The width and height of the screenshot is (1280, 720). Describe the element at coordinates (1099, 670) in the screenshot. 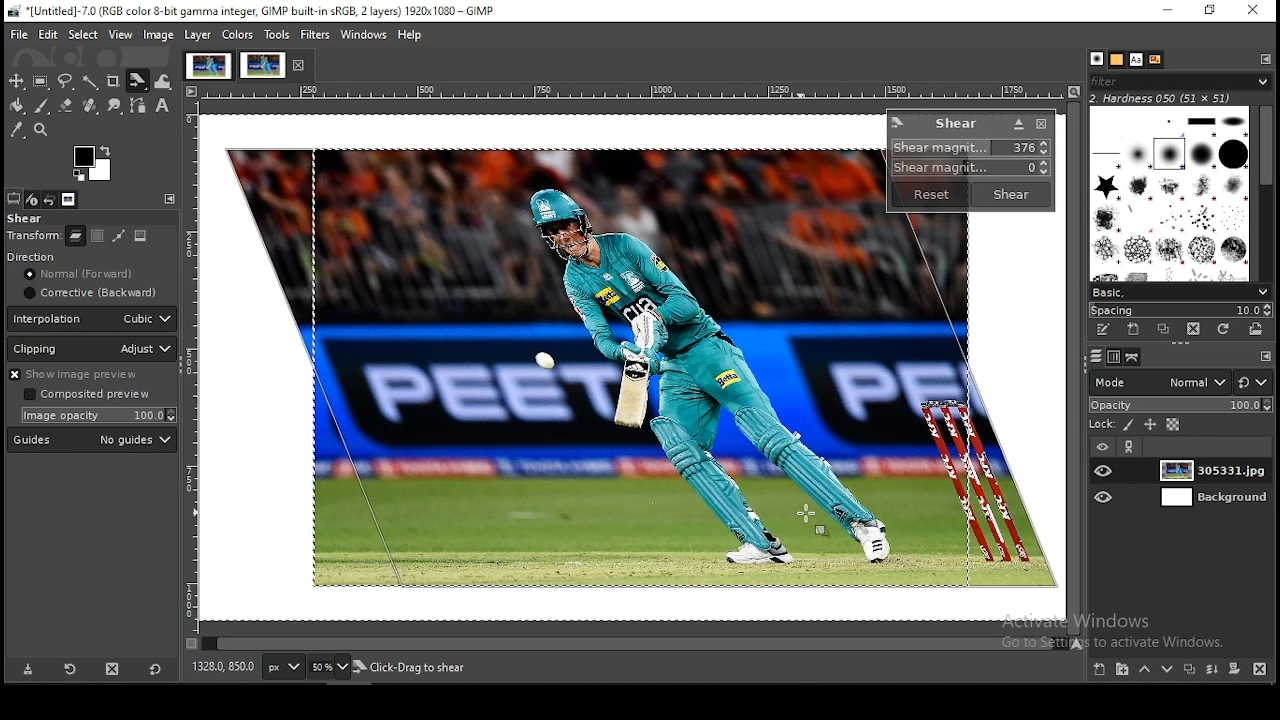

I see `new layer` at that location.